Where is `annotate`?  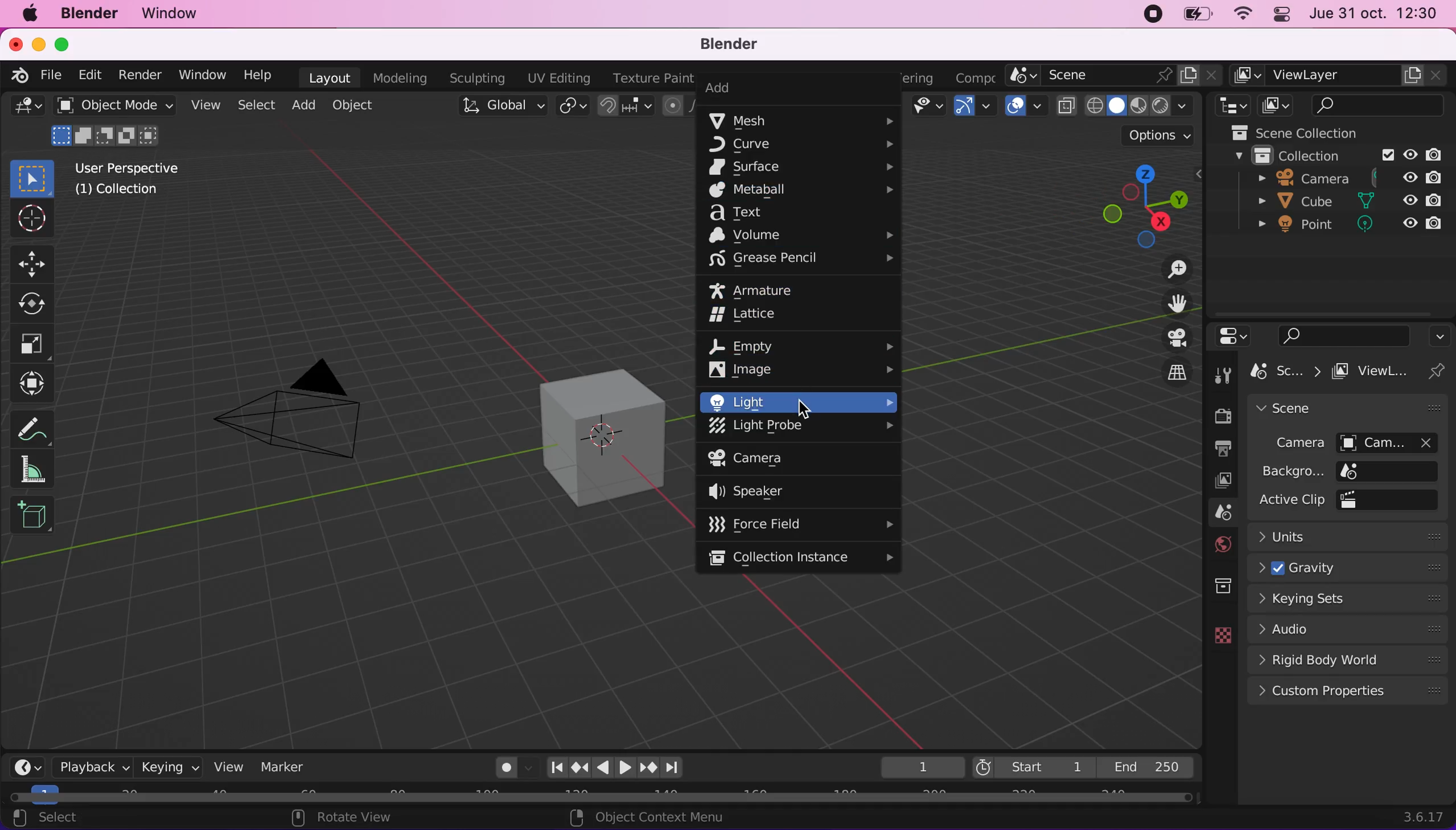
annotate is located at coordinates (32, 428).